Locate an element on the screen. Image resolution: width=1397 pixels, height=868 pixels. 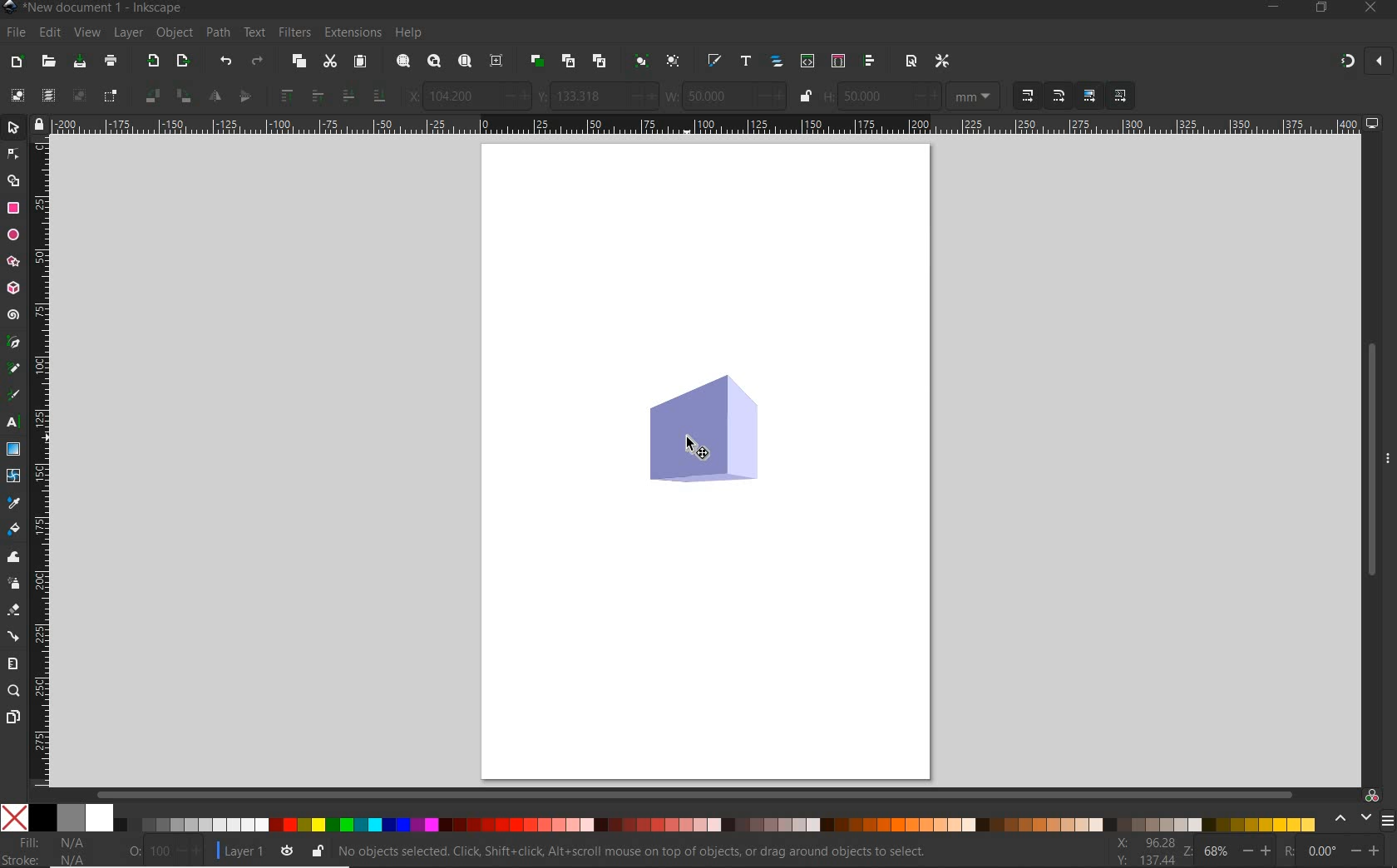
cursor coordinates is located at coordinates (1146, 851).